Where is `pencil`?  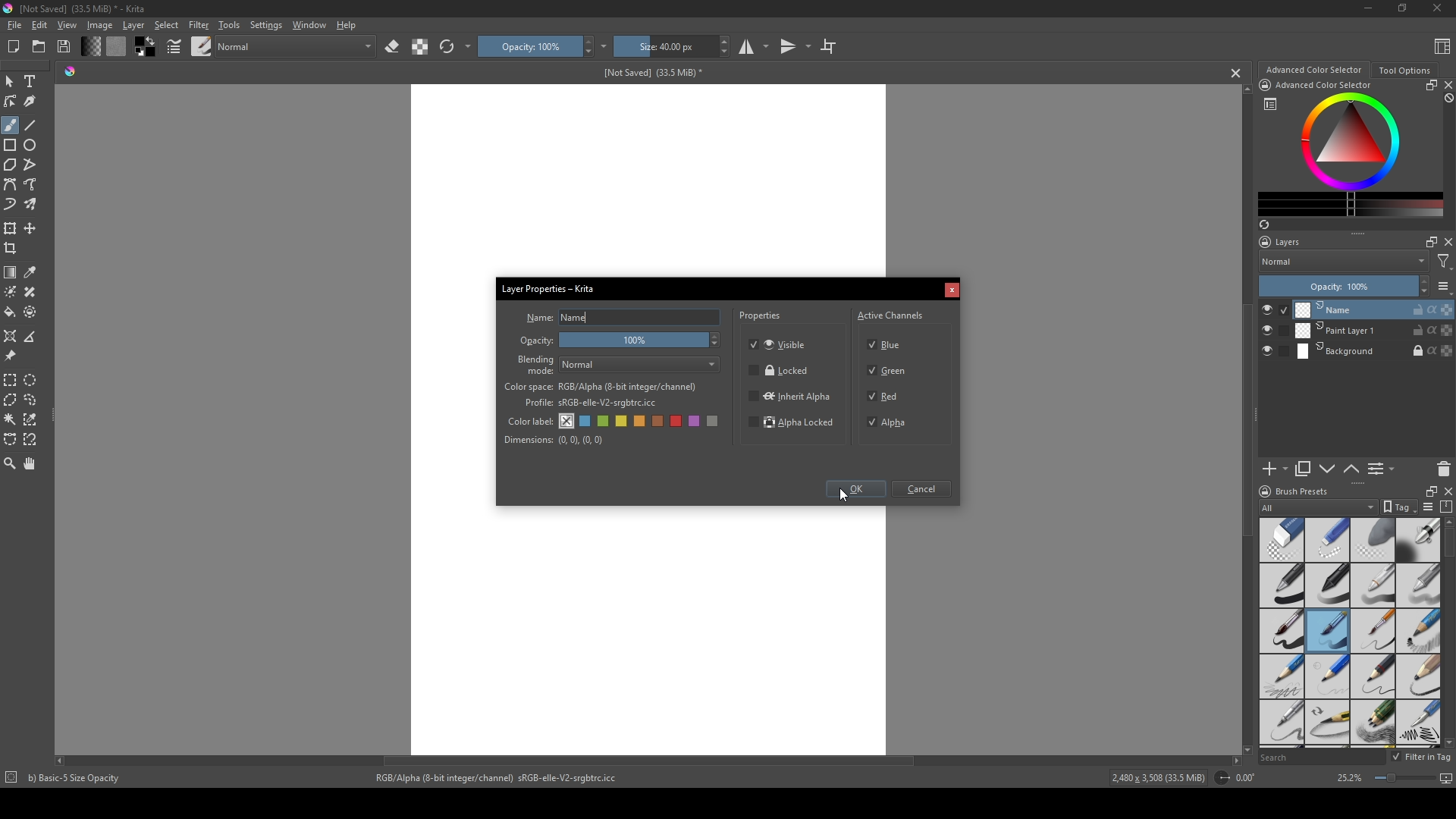 pencil is located at coordinates (1419, 632).